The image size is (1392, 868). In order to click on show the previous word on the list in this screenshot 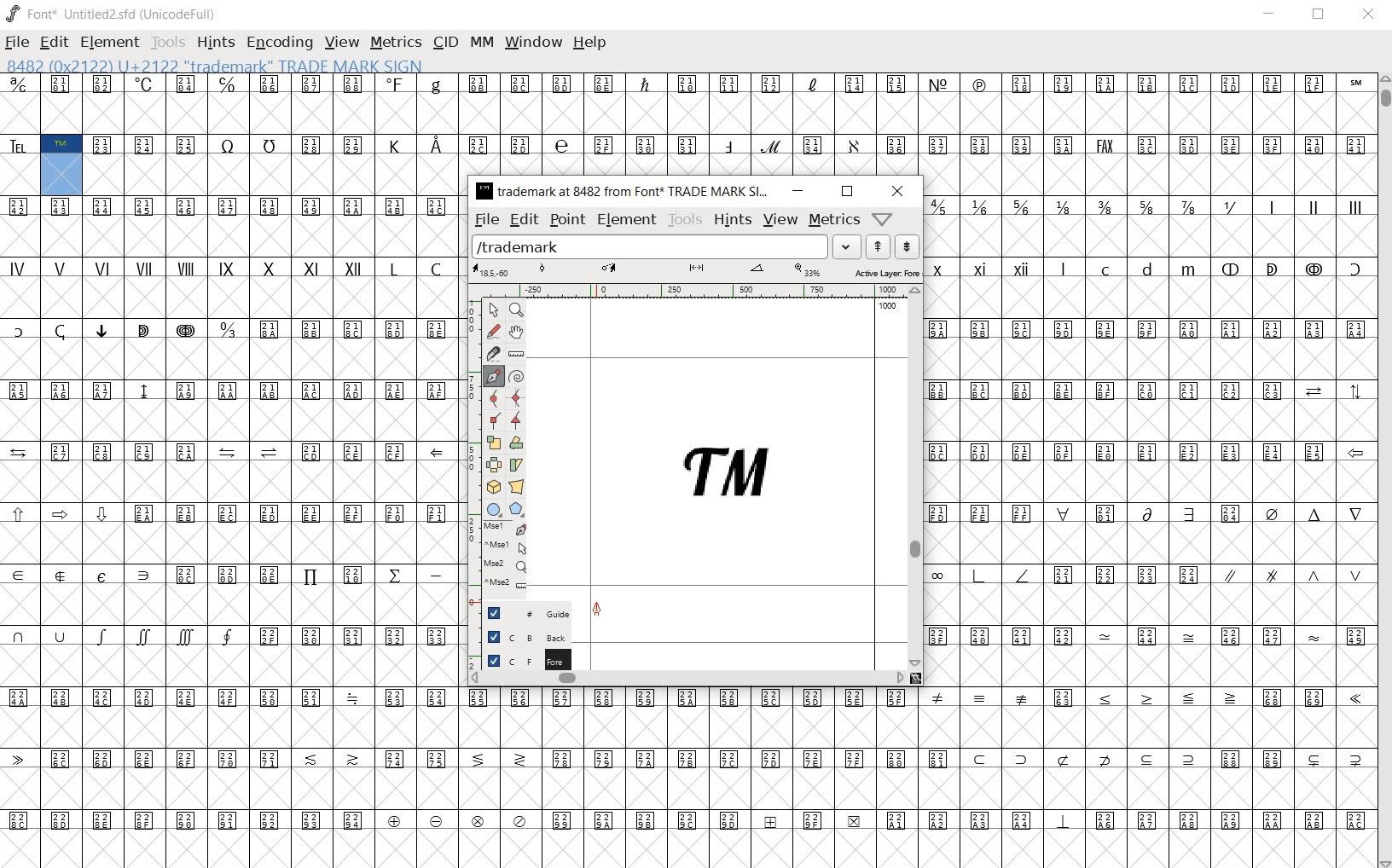, I will do `click(906, 246)`.